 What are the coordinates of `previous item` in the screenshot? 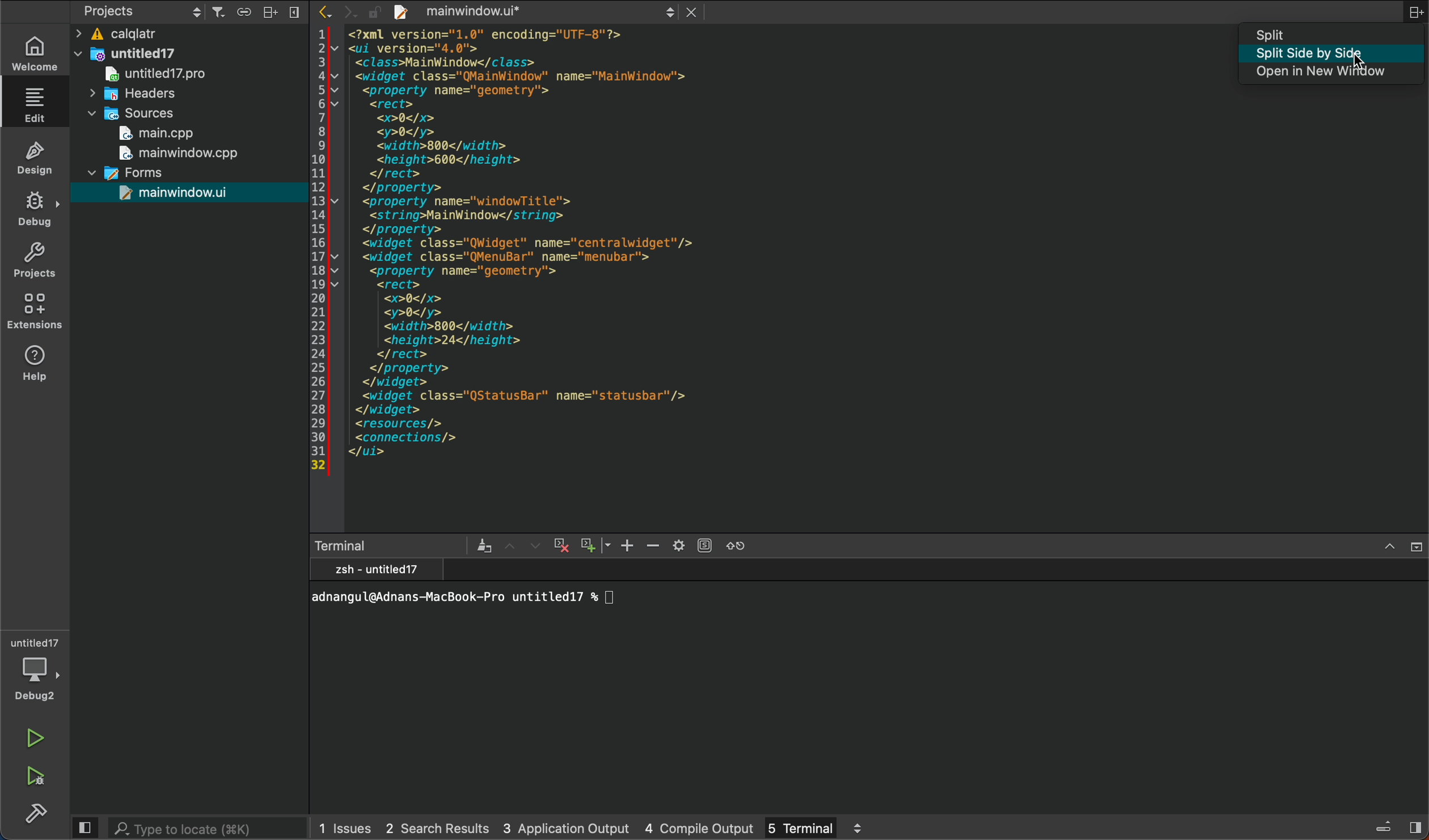 It's located at (512, 546).